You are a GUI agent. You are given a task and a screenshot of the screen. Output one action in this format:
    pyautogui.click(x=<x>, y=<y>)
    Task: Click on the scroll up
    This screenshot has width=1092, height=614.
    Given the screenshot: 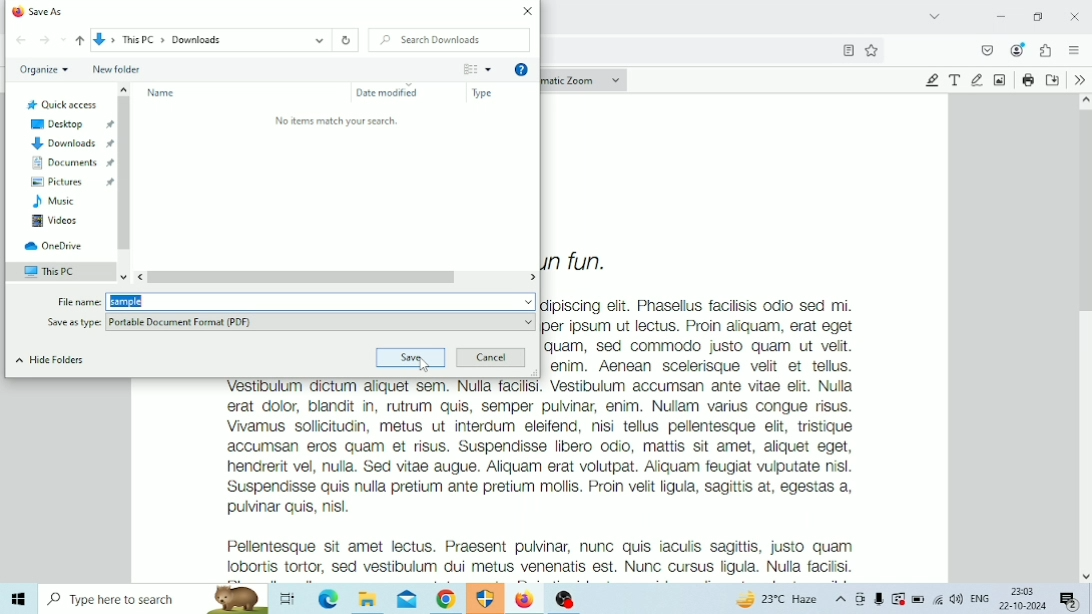 What is the action you would take?
    pyautogui.click(x=123, y=89)
    